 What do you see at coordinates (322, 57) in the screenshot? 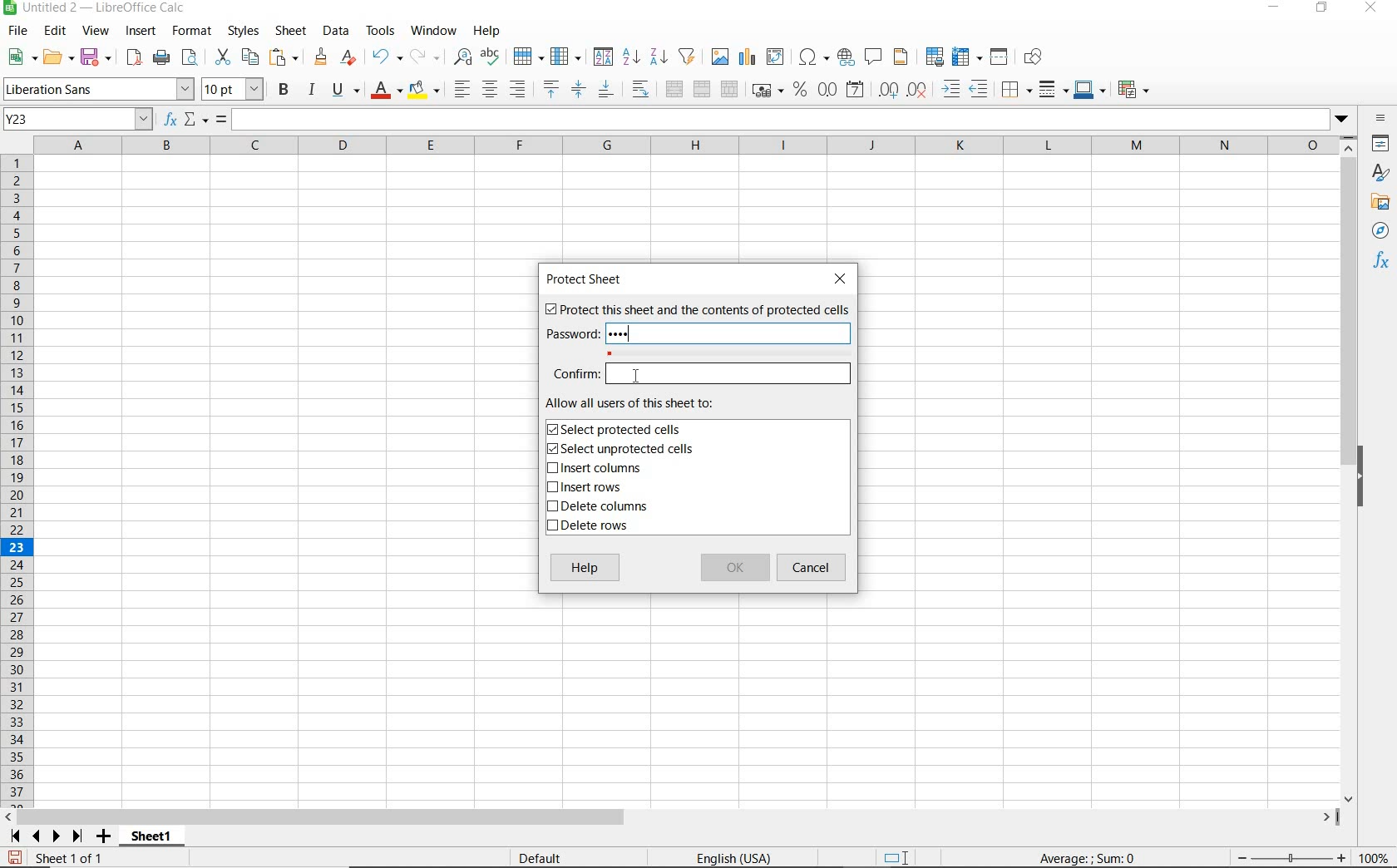
I see `CLONE FORMATTING` at bounding box center [322, 57].